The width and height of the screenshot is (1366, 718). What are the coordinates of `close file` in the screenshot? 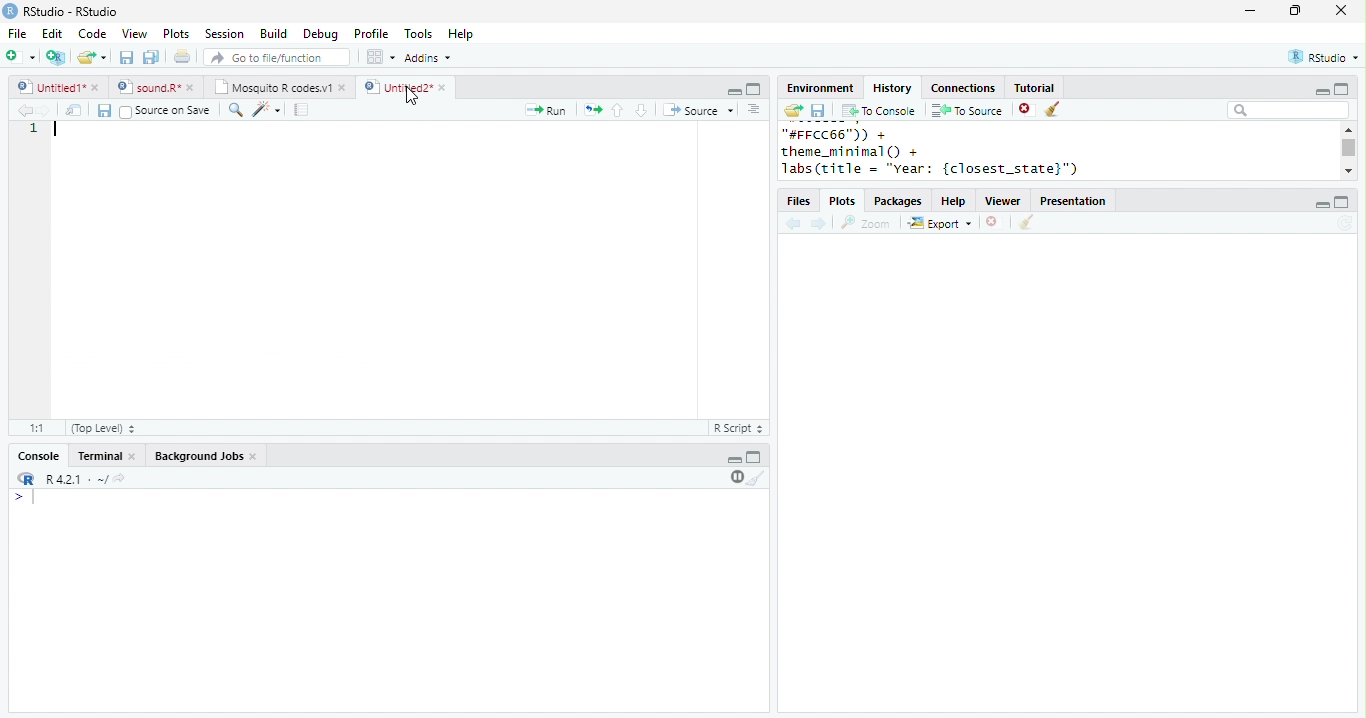 It's located at (1027, 110).